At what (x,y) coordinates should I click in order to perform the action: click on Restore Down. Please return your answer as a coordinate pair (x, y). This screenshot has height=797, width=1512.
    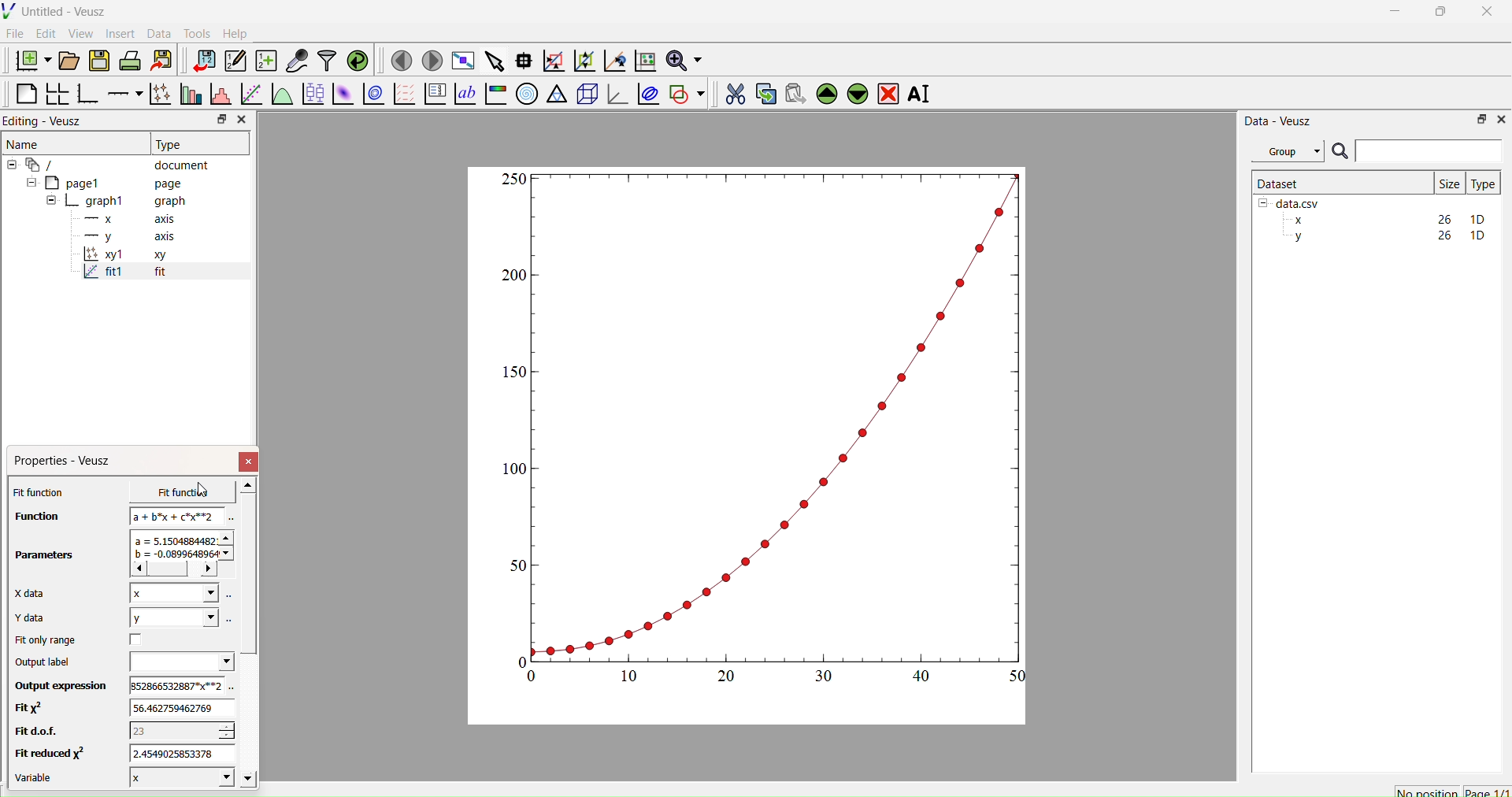
    Looking at the image, I should click on (1477, 118).